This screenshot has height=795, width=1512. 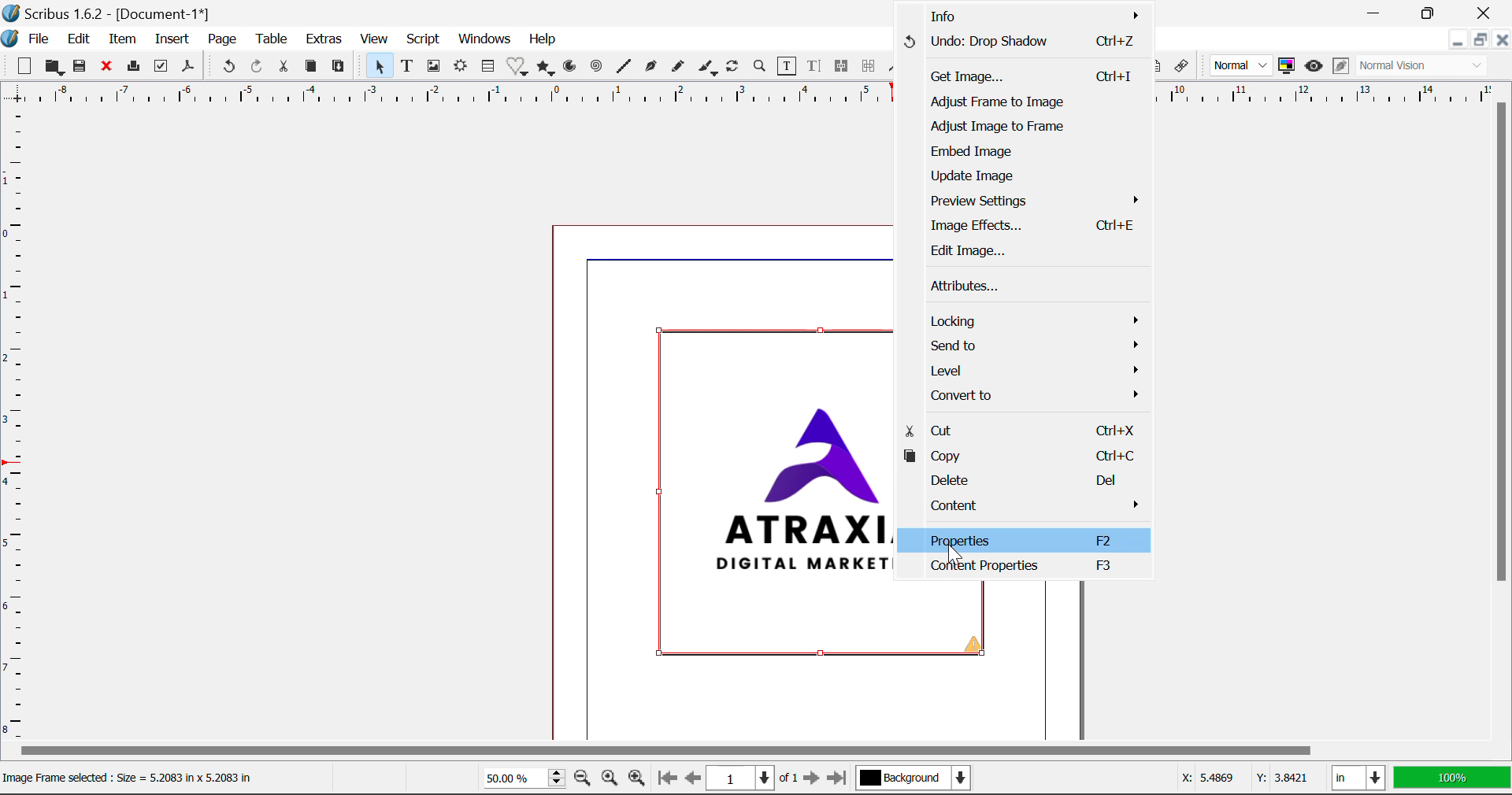 What do you see at coordinates (842, 68) in the screenshot?
I see `Link Text Frames` at bounding box center [842, 68].